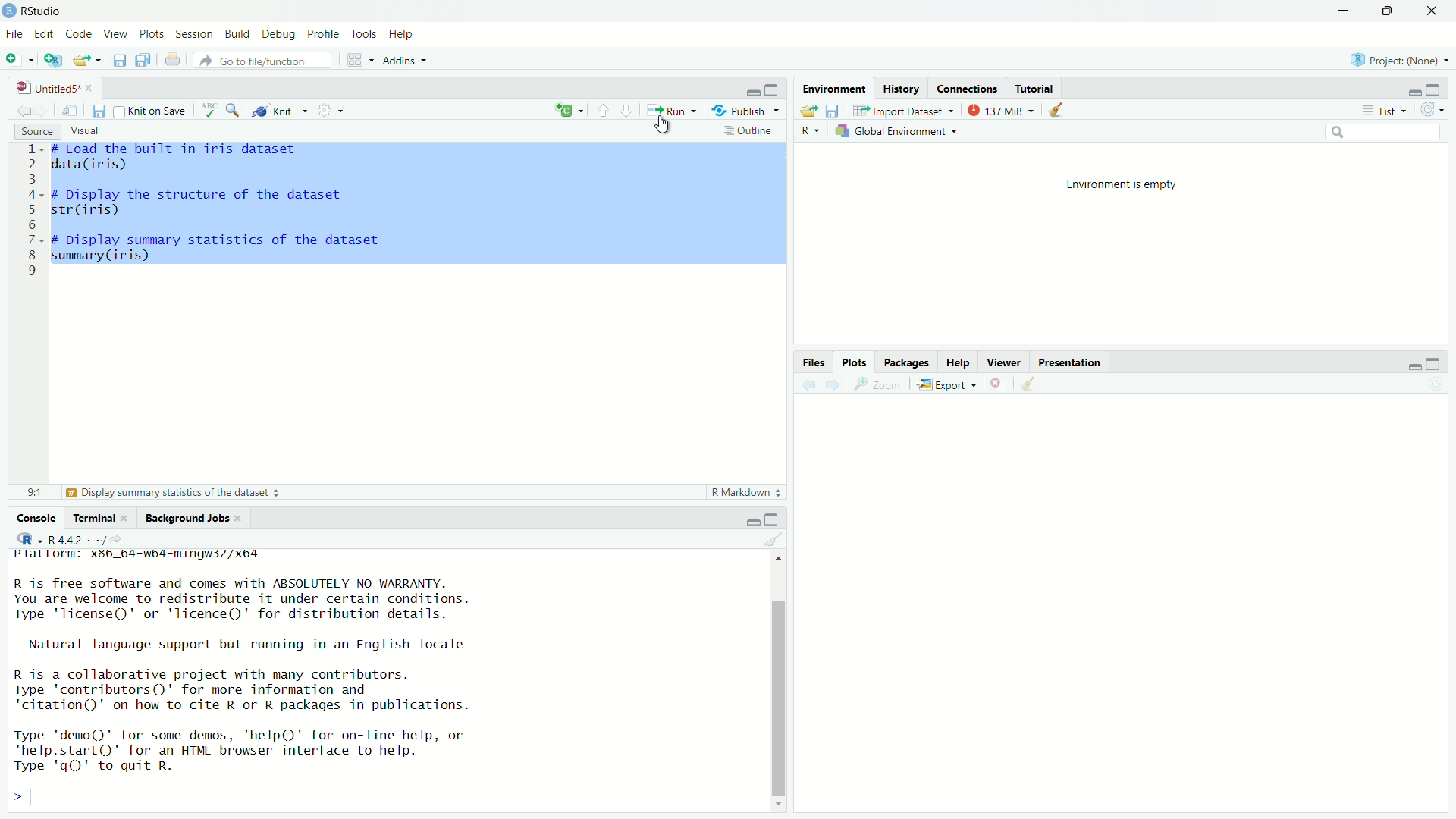  What do you see at coordinates (900, 89) in the screenshot?
I see `History` at bounding box center [900, 89].